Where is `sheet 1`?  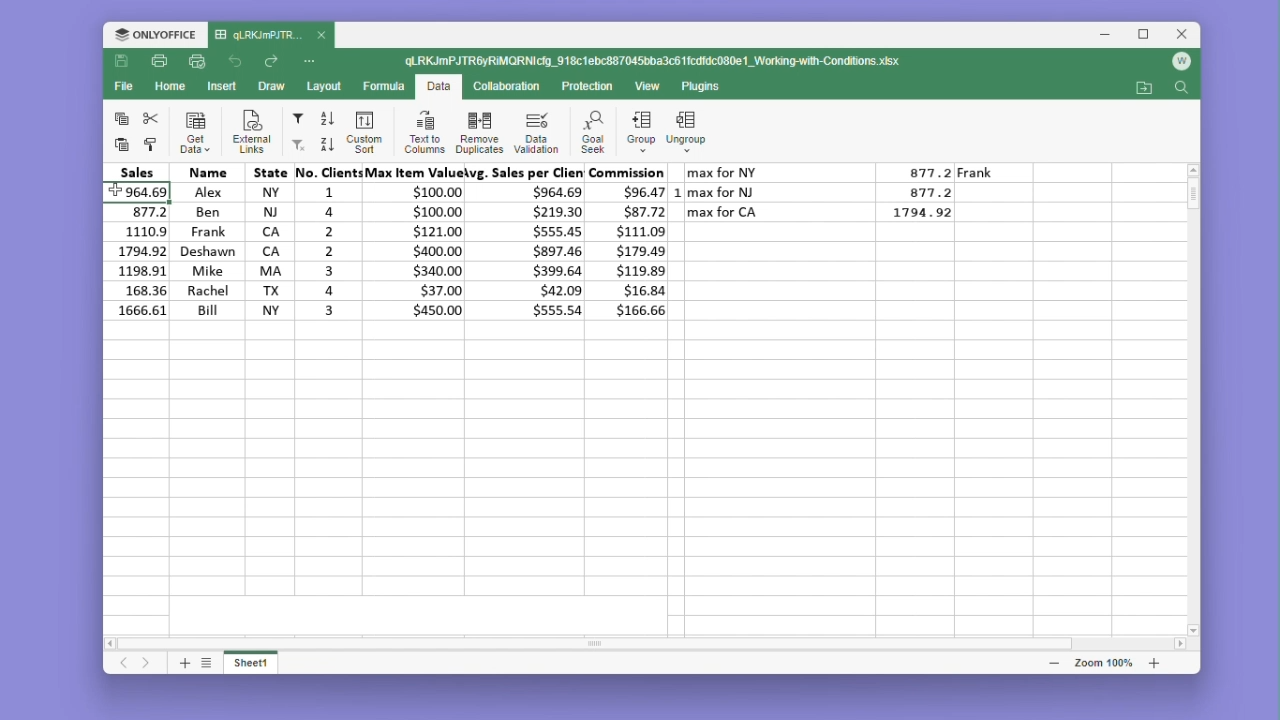 sheet 1 is located at coordinates (252, 661).